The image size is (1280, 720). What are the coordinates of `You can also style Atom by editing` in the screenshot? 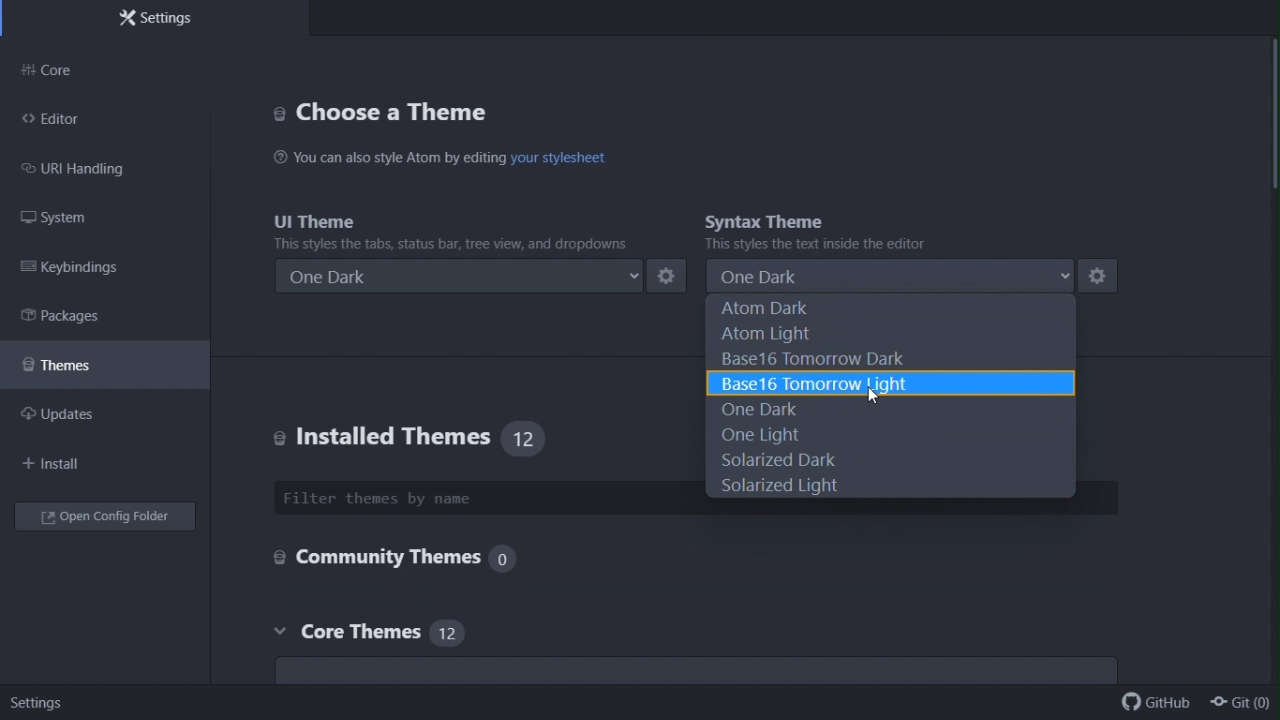 It's located at (387, 158).